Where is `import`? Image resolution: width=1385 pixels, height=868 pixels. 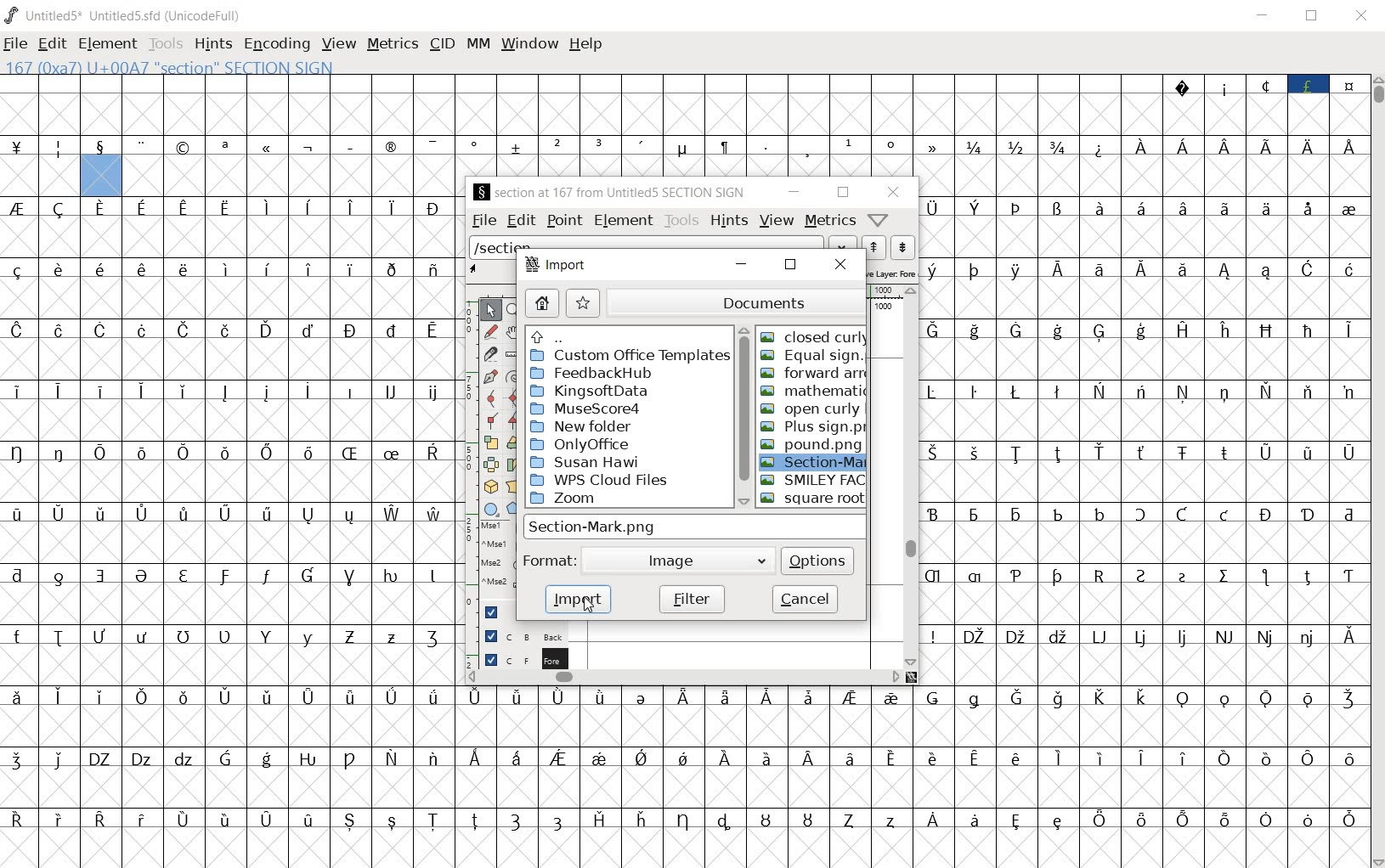 import is located at coordinates (559, 267).